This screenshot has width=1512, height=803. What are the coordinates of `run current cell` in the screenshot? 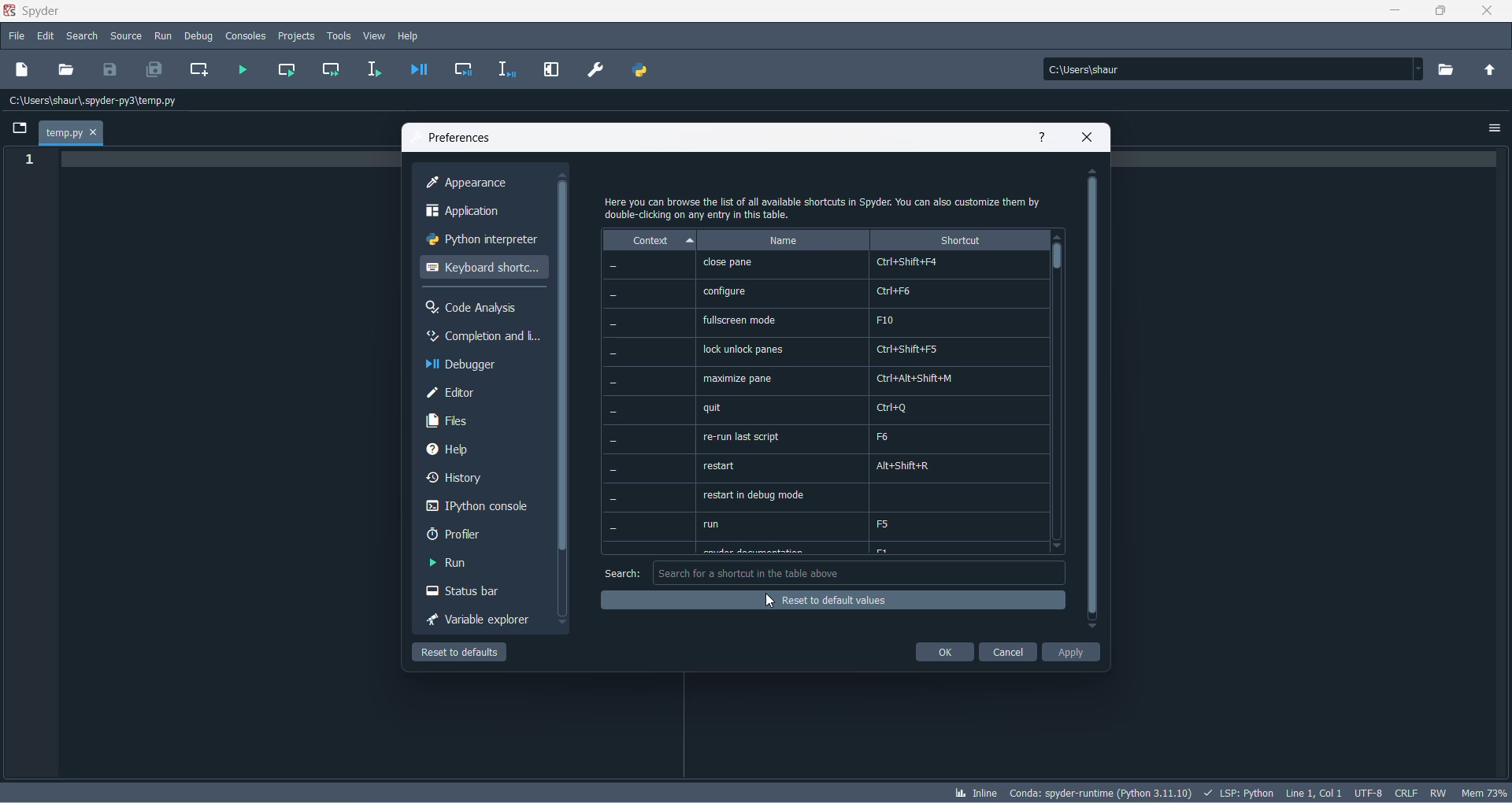 It's located at (287, 68).